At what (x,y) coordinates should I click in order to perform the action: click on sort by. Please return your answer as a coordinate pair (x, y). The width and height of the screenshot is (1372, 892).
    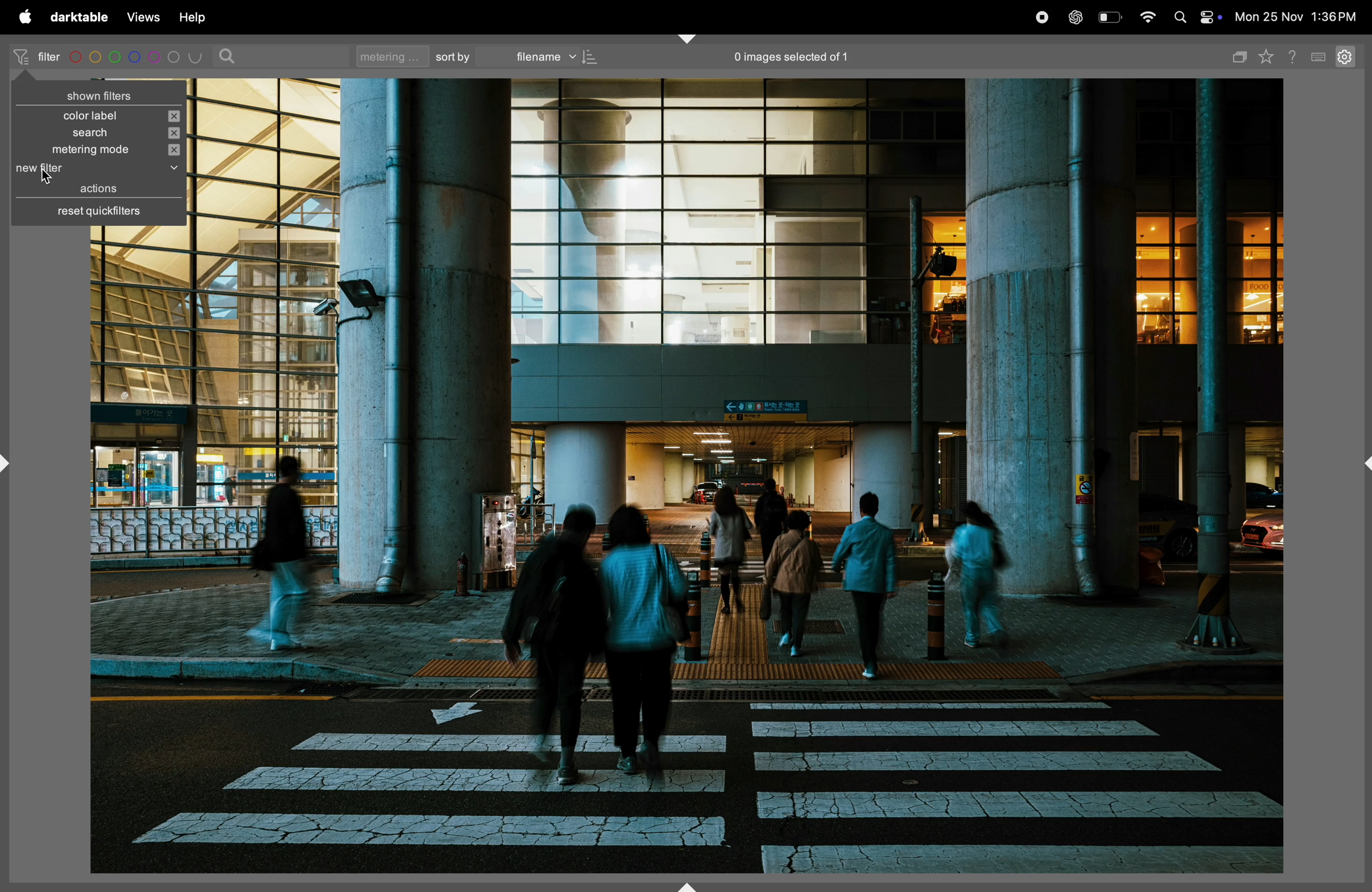
    Looking at the image, I should click on (454, 56).